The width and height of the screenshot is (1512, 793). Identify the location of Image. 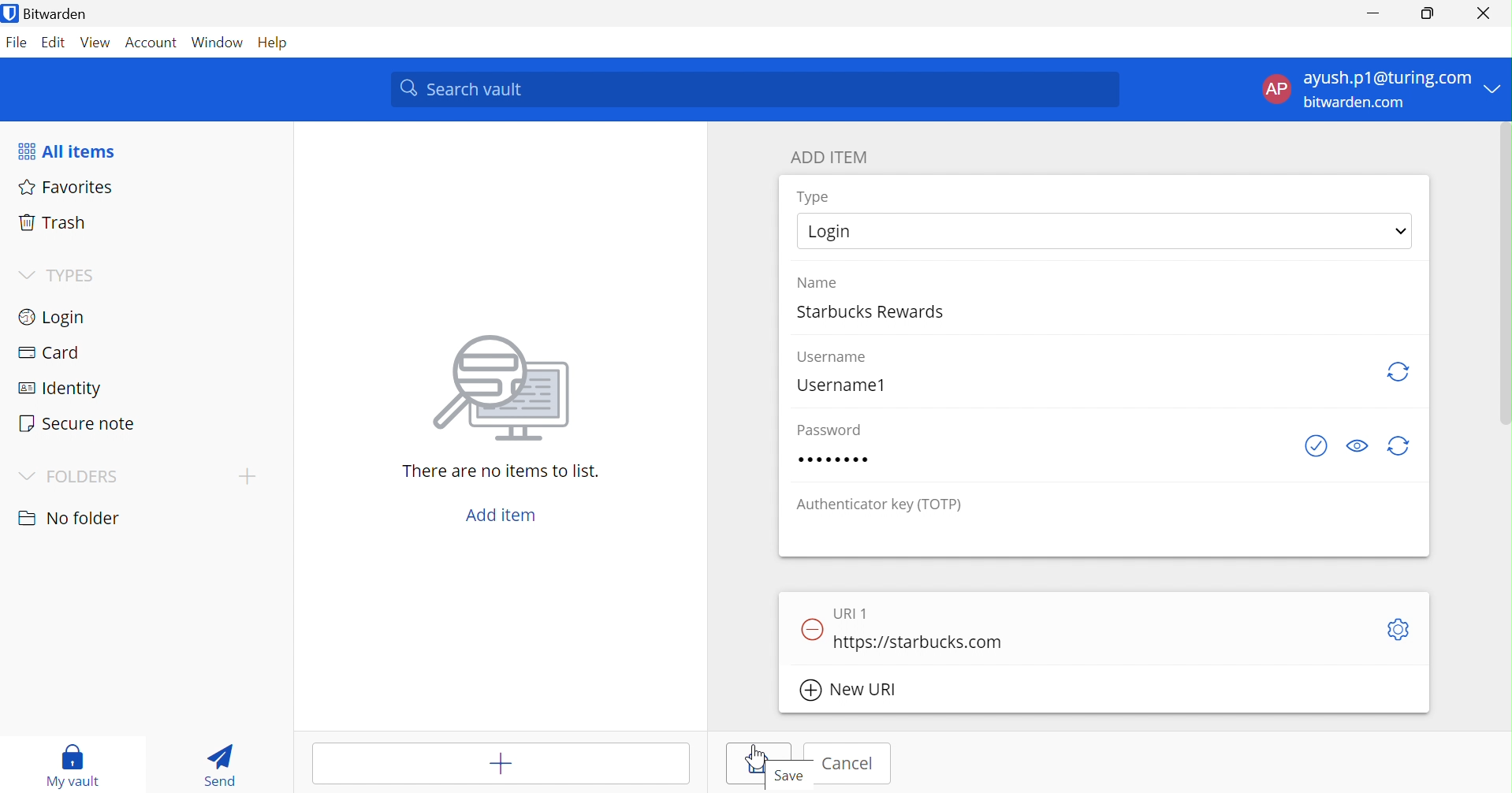
(505, 390).